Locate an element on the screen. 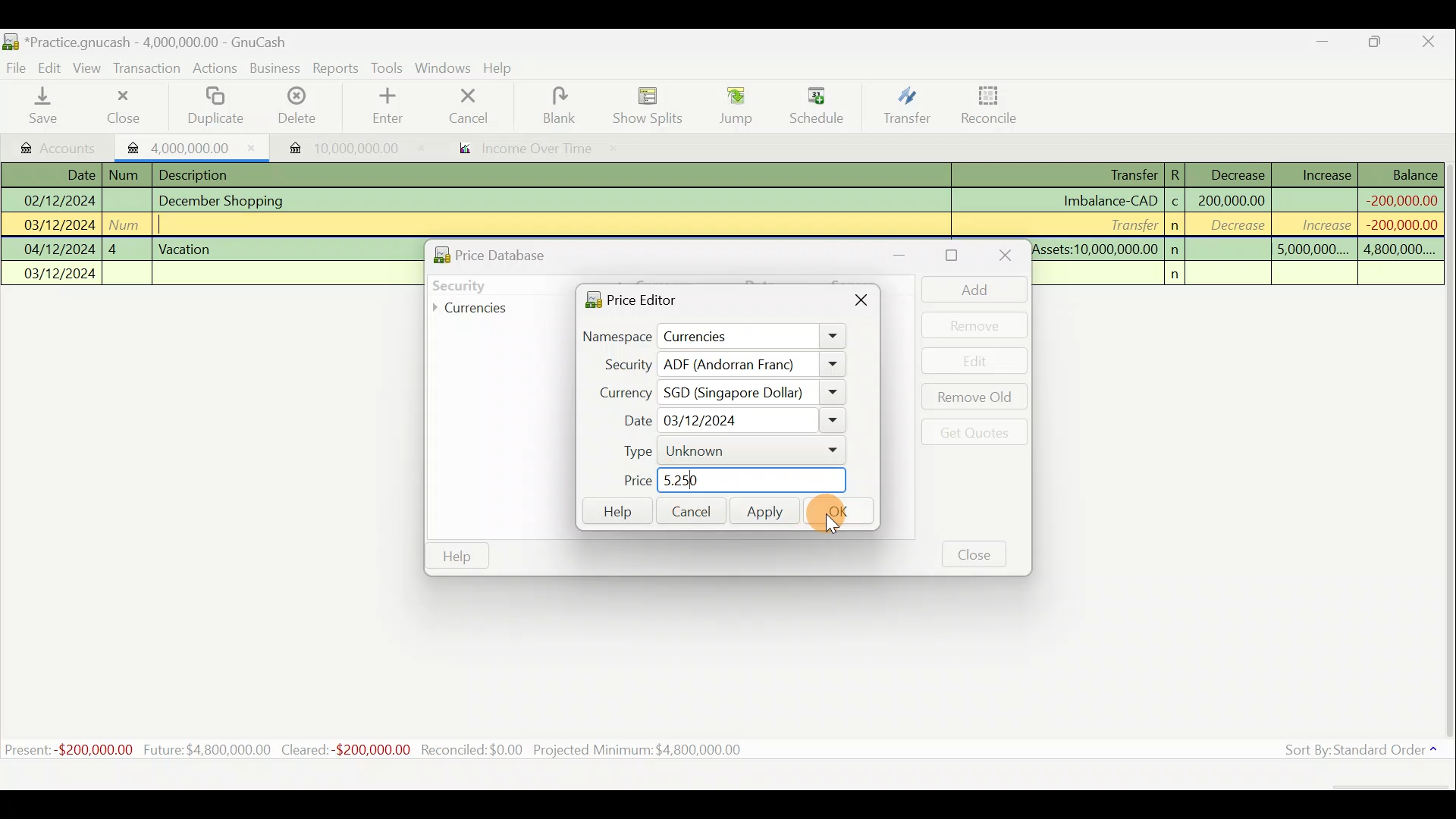 The image size is (1456, 819). Statistics is located at coordinates (399, 750).